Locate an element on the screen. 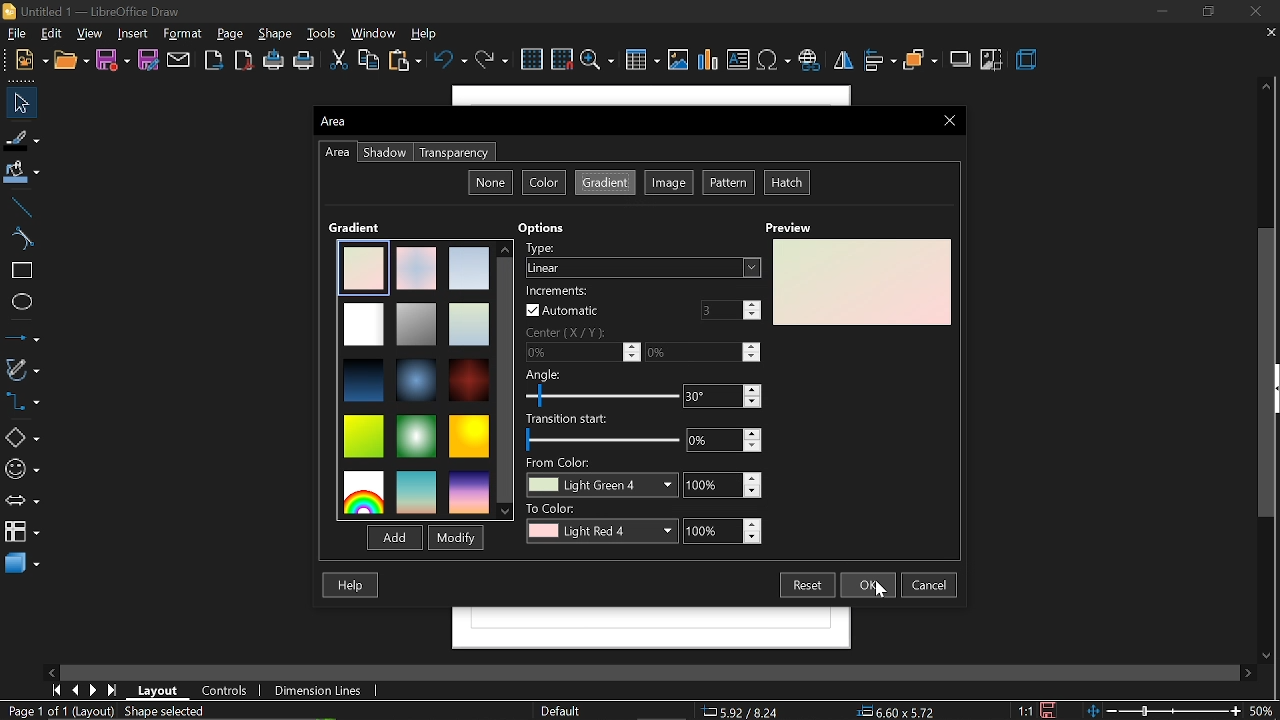 Image resolution: width=1280 pixels, height=720 pixels. align is located at coordinates (880, 62).